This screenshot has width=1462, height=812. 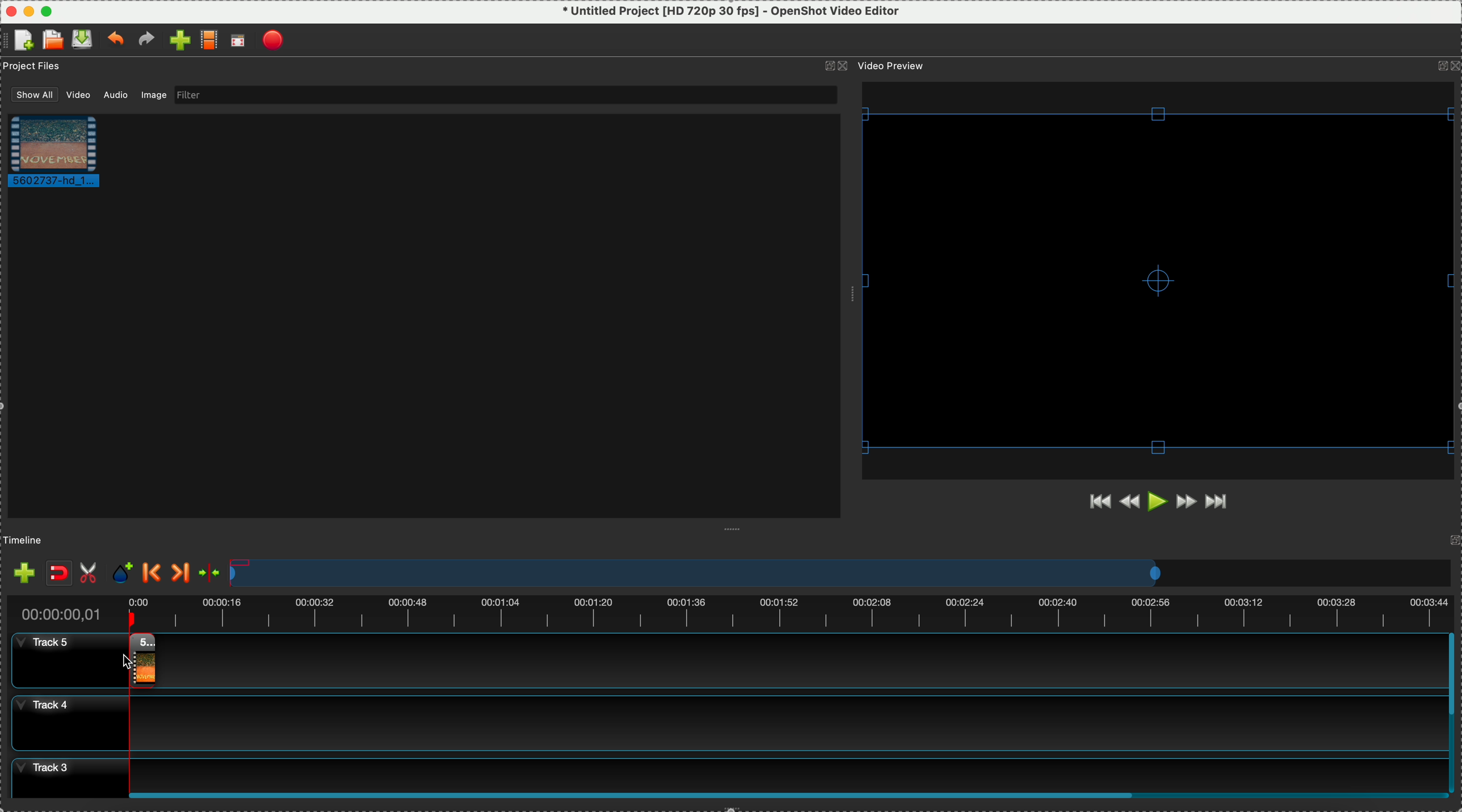 I want to click on filter, so click(x=507, y=95).